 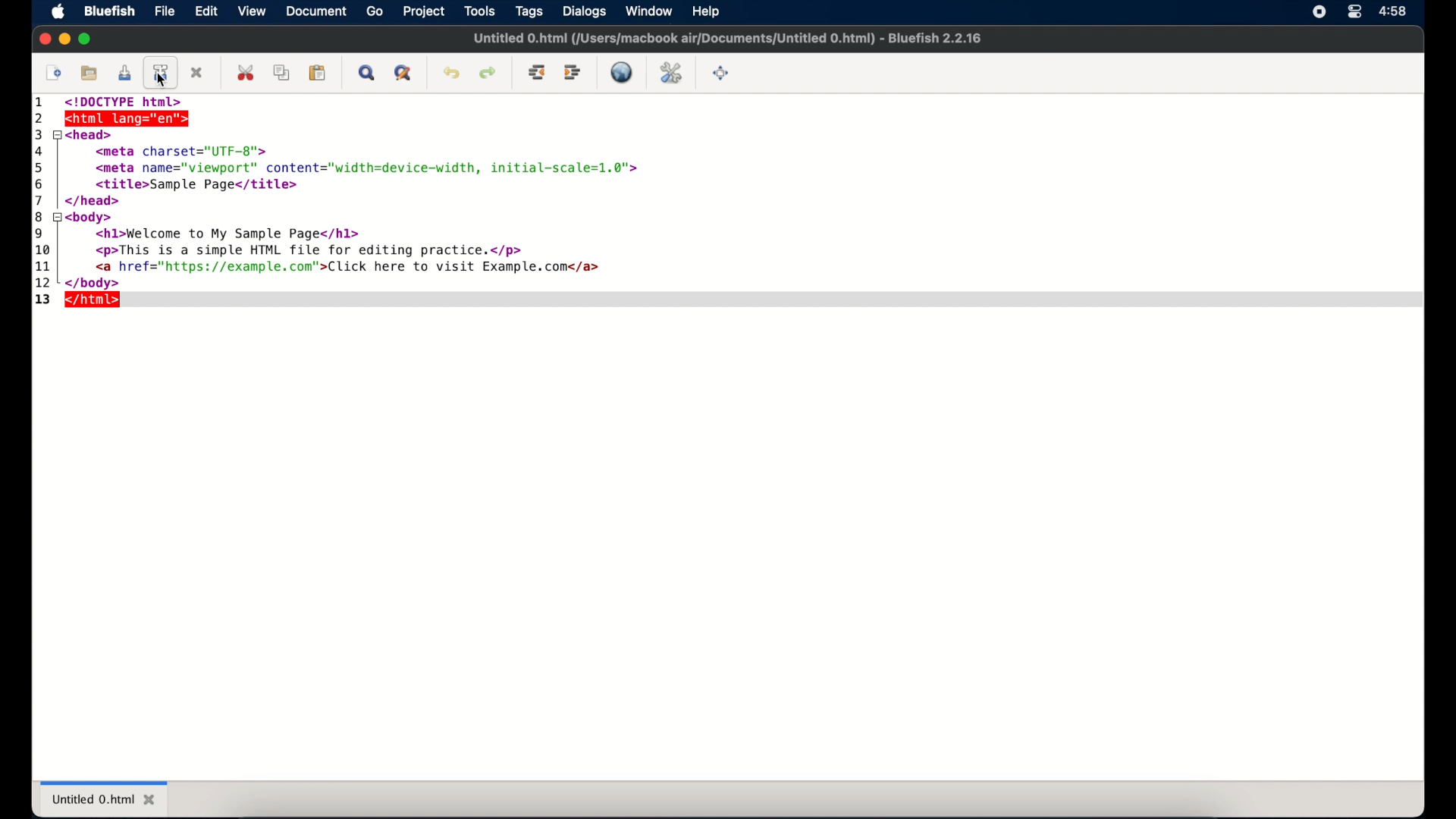 What do you see at coordinates (92, 283) in the screenshot?
I see `</body>` at bounding box center [92, 283].